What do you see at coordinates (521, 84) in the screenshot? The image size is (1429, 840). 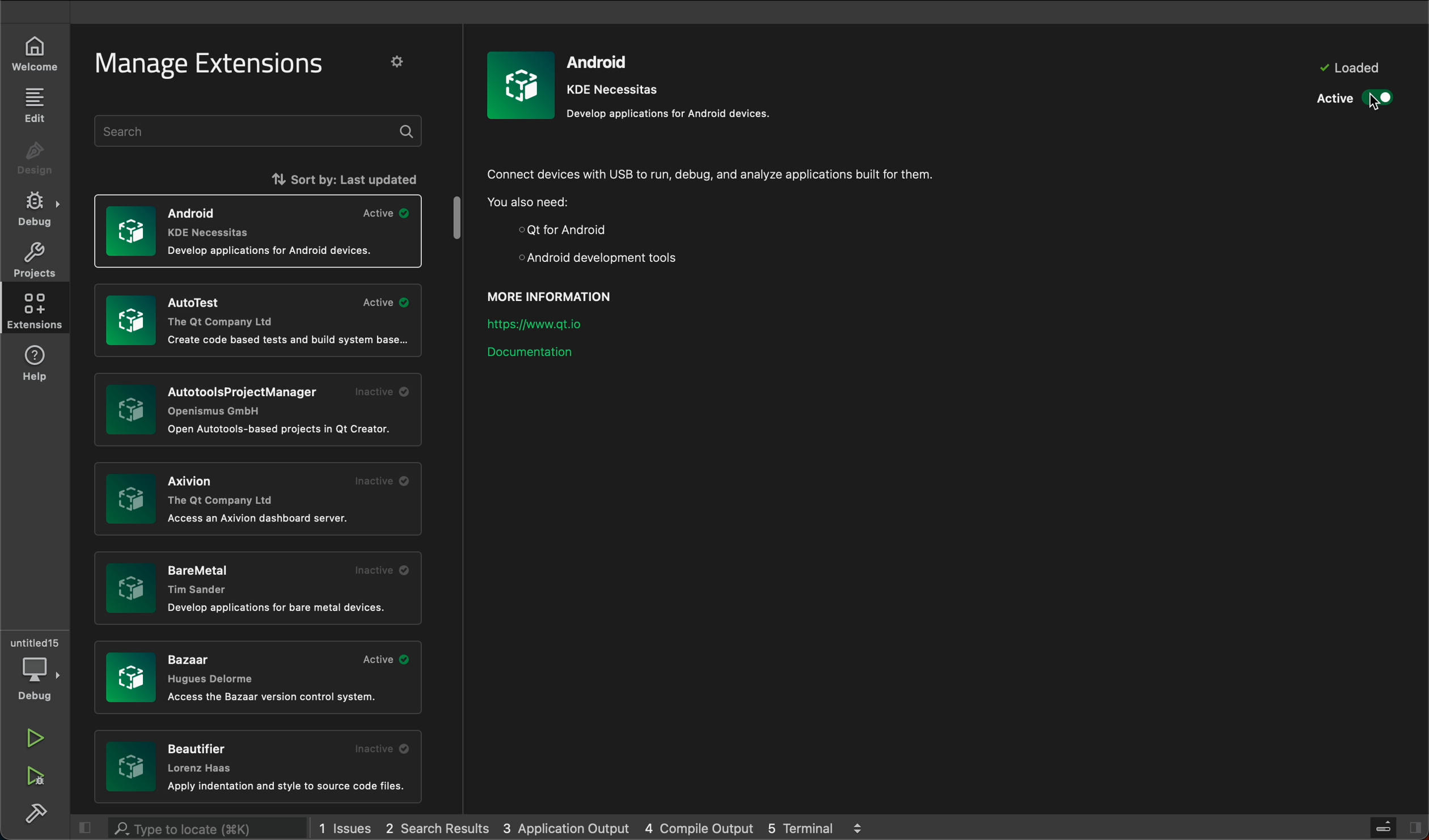 I see `logo` at bounding box center [521, 84].